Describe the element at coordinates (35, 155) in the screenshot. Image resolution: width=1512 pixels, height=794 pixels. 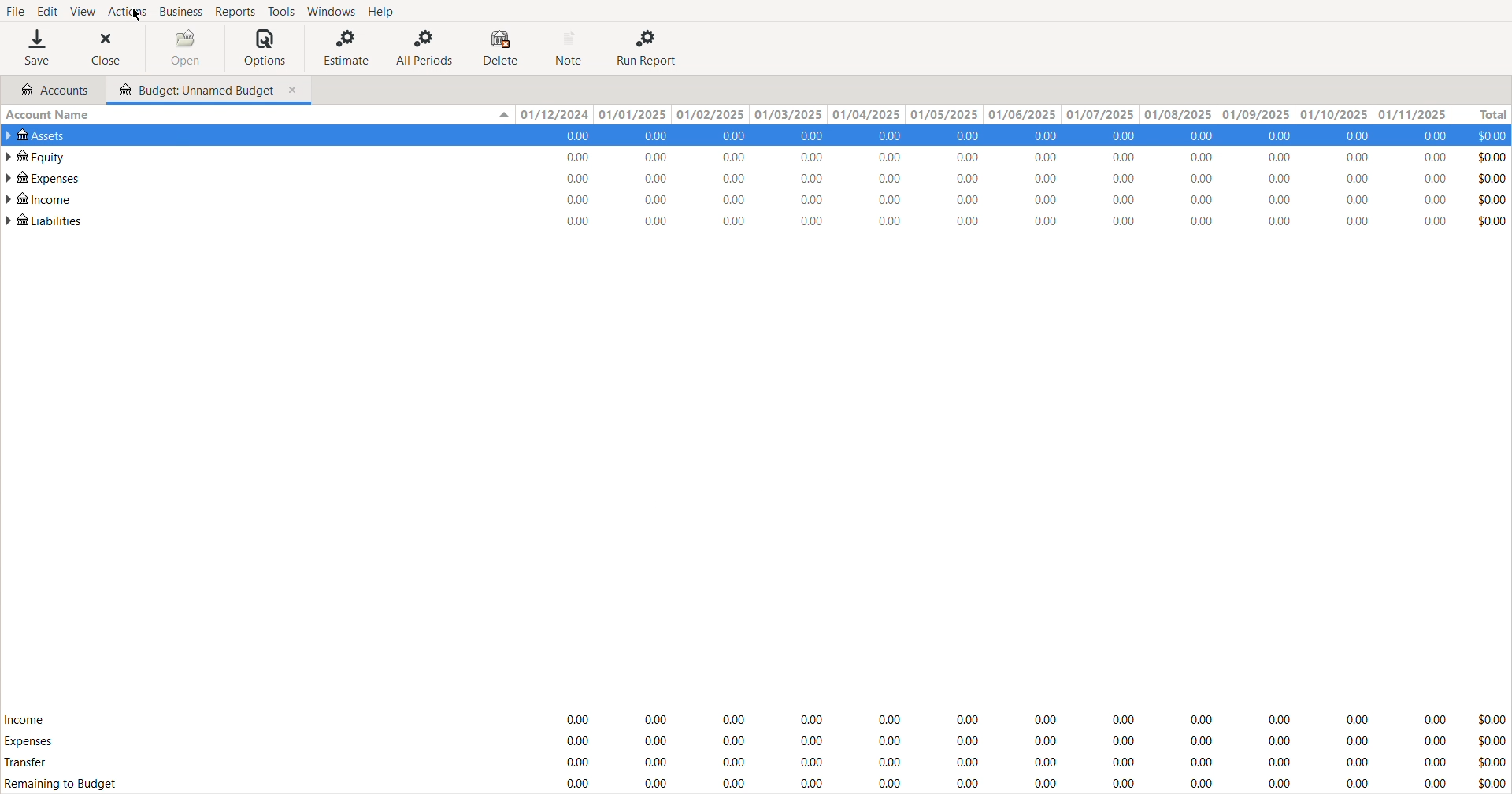
I see `Equity` at that location.